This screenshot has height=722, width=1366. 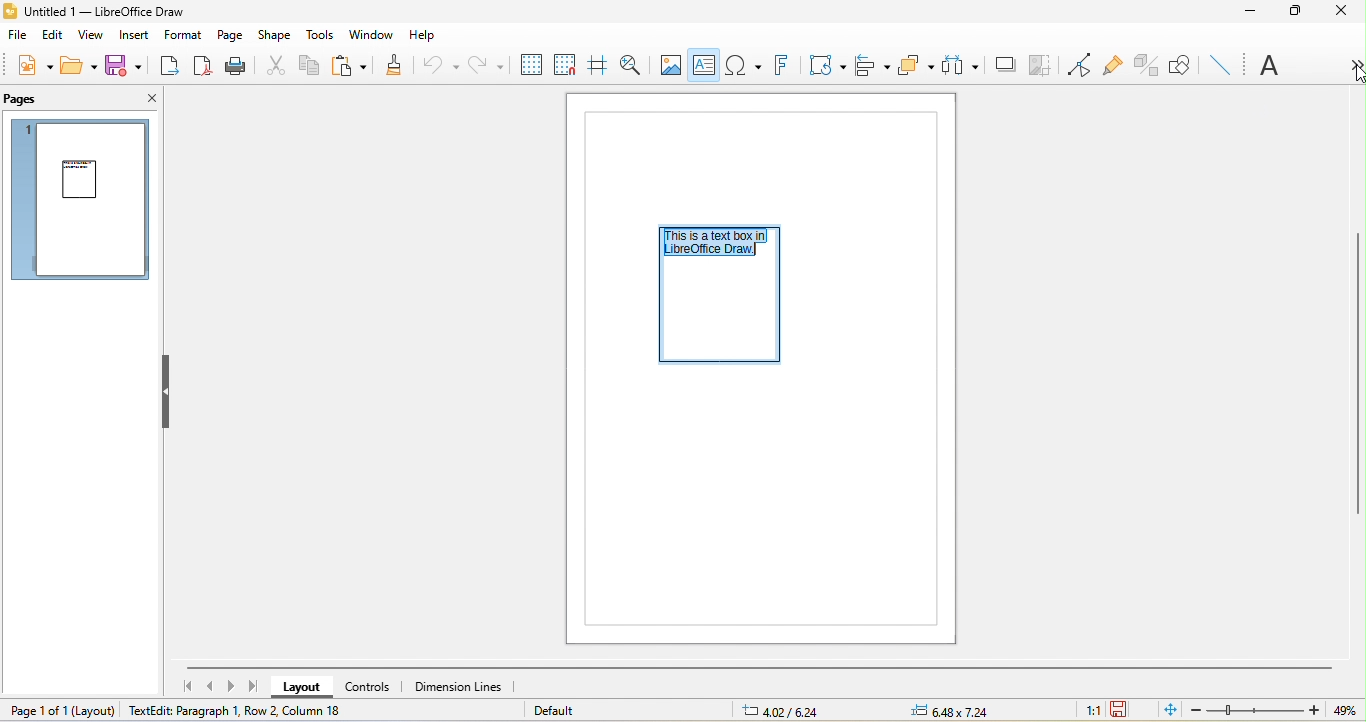 I want to click on file, so click(x=20, y=36).